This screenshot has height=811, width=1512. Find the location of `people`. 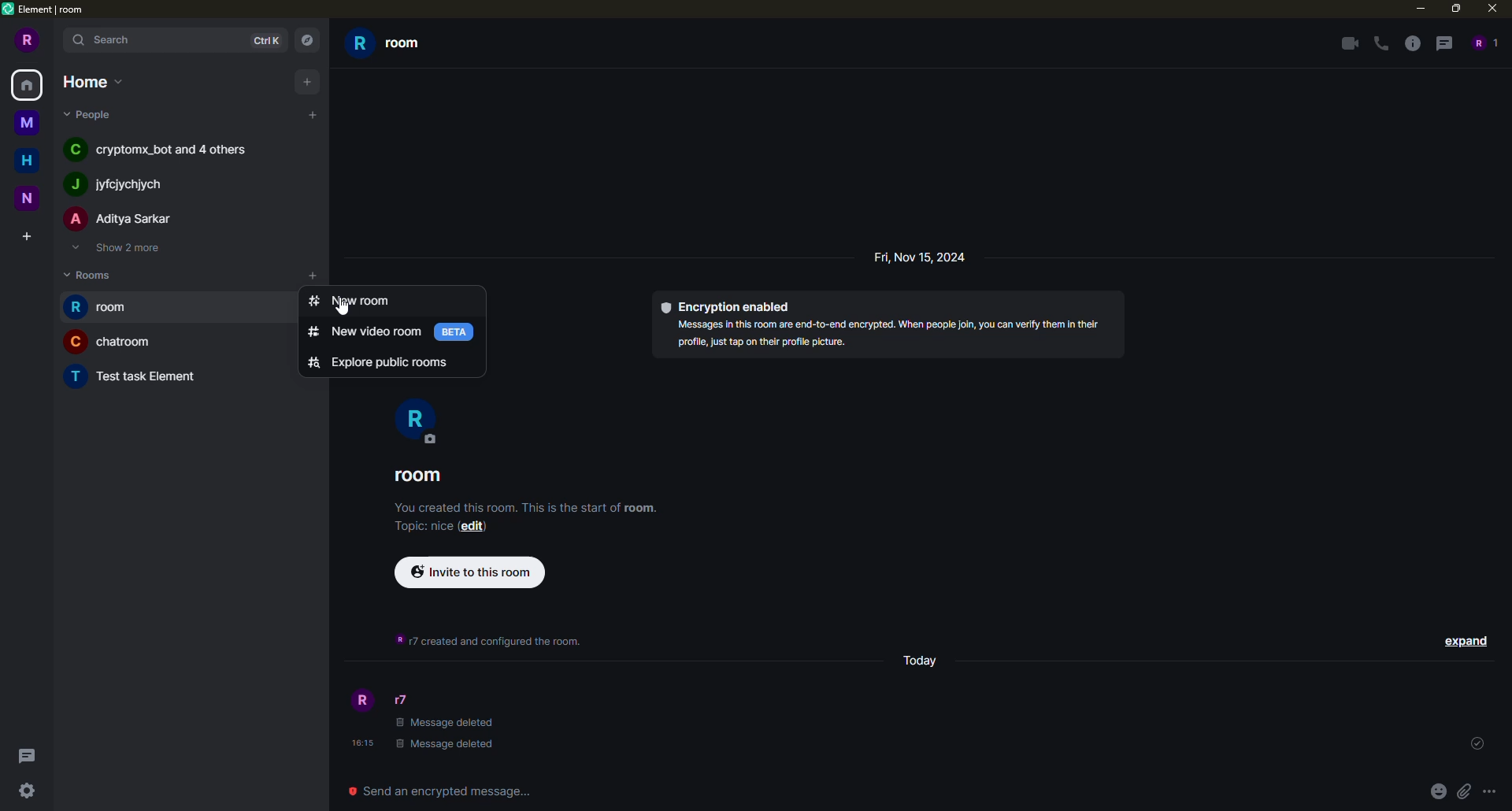

people is located at coordinates (167, 148).